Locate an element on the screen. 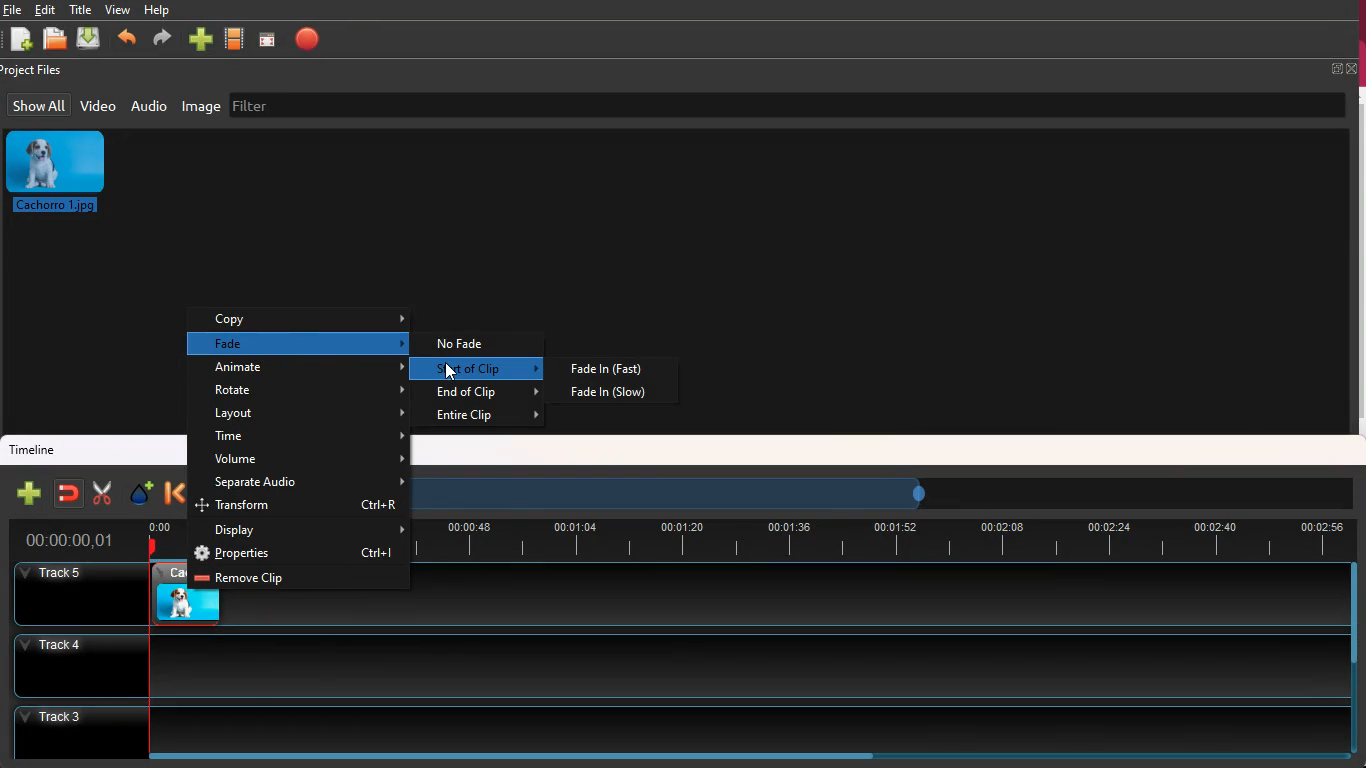  track3 is located at coordinates (664, 727).